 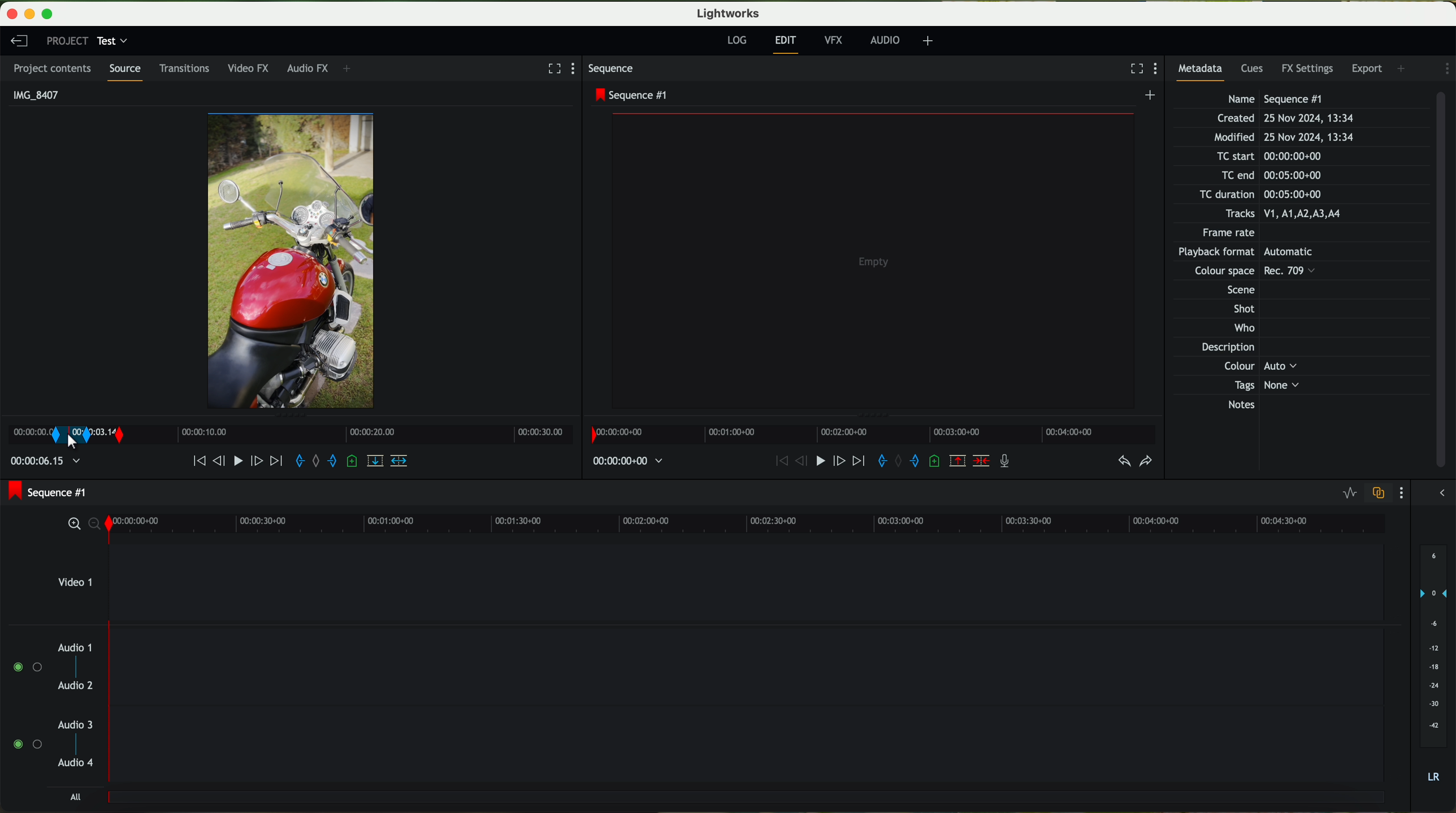 What do you see at coordinates (578, 69) in the screenshot?
I see `show settings menu` at bounding box center [578, 69].